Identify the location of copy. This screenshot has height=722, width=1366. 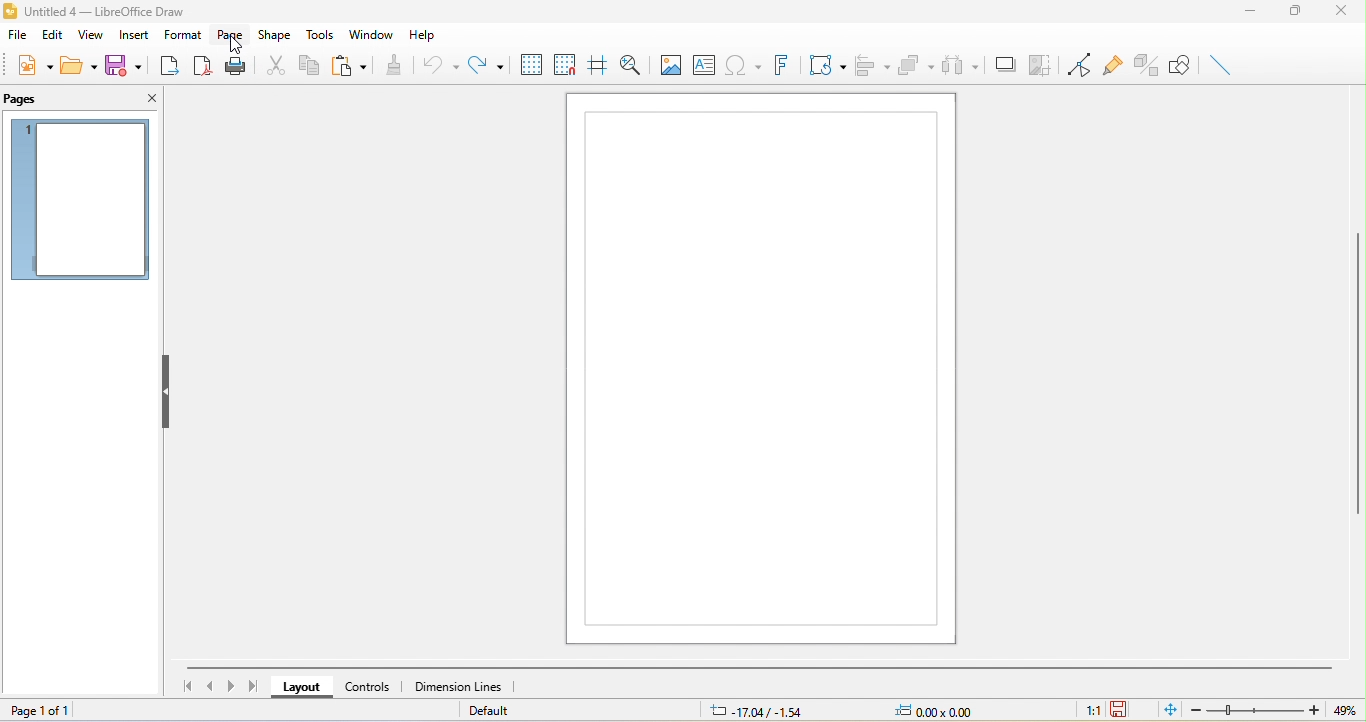
(308, 63).